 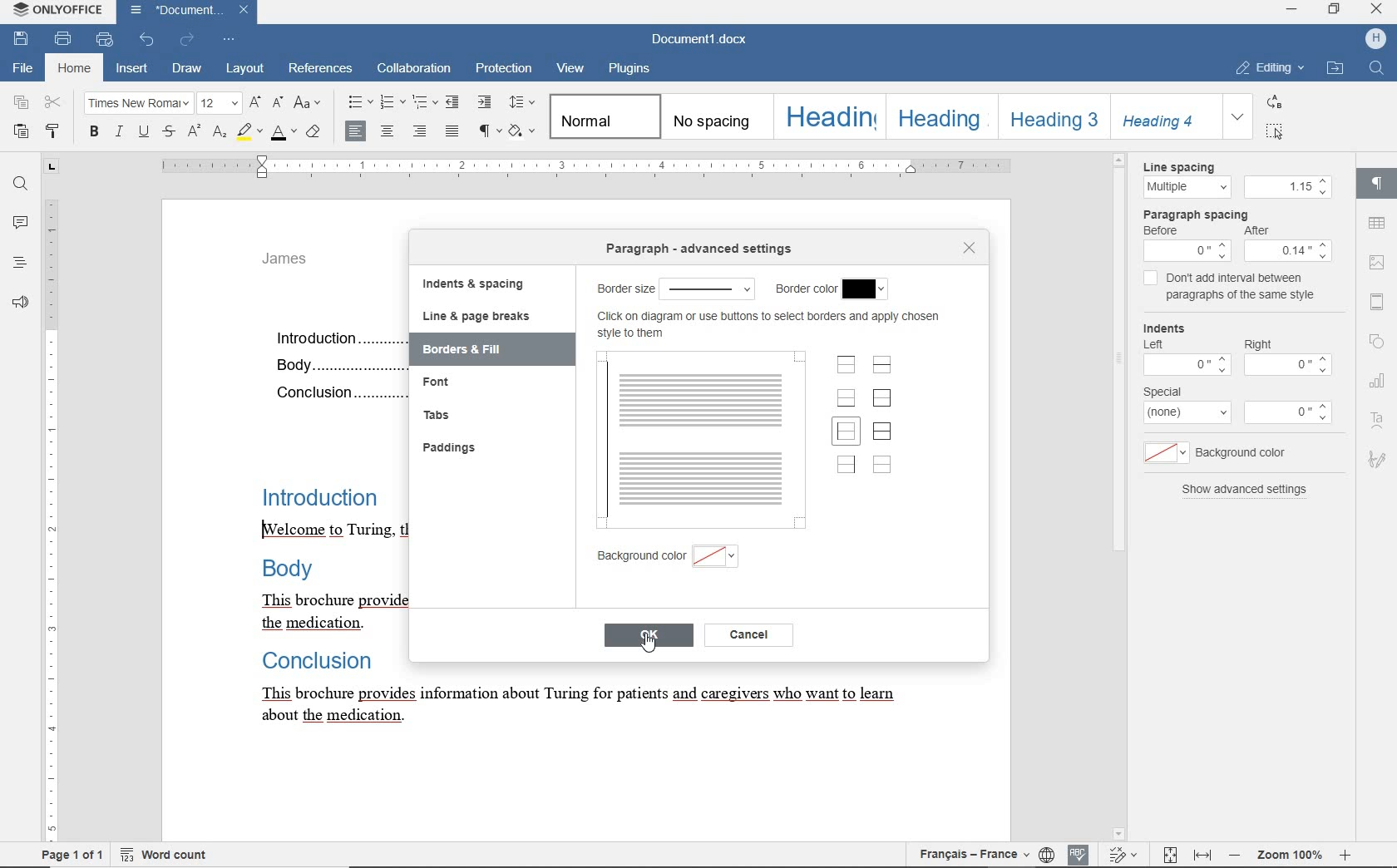 I want to click on more options, so click(x=1291, y=412).